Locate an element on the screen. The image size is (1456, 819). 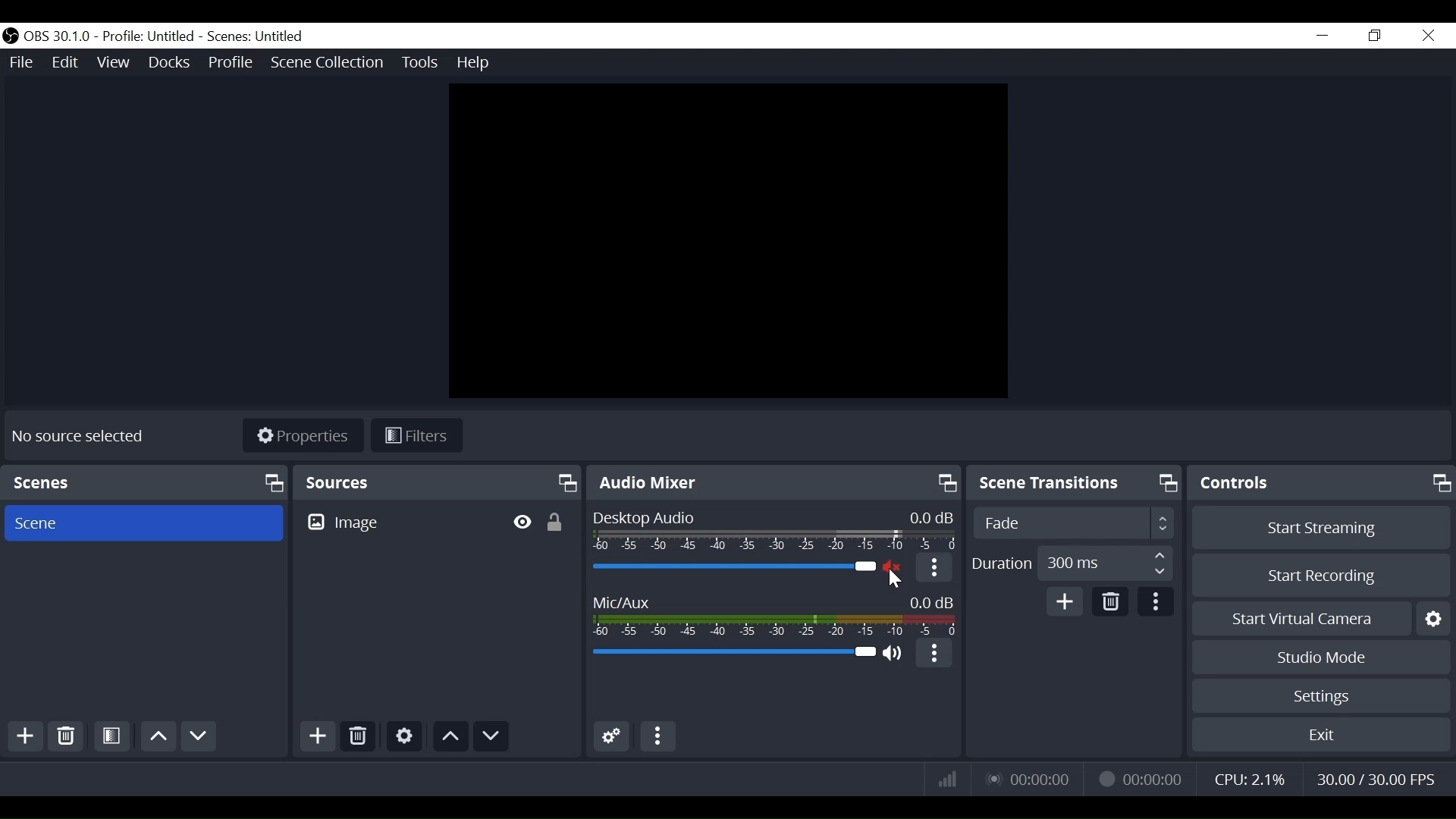
Properties is located at coordinates (305, 437).